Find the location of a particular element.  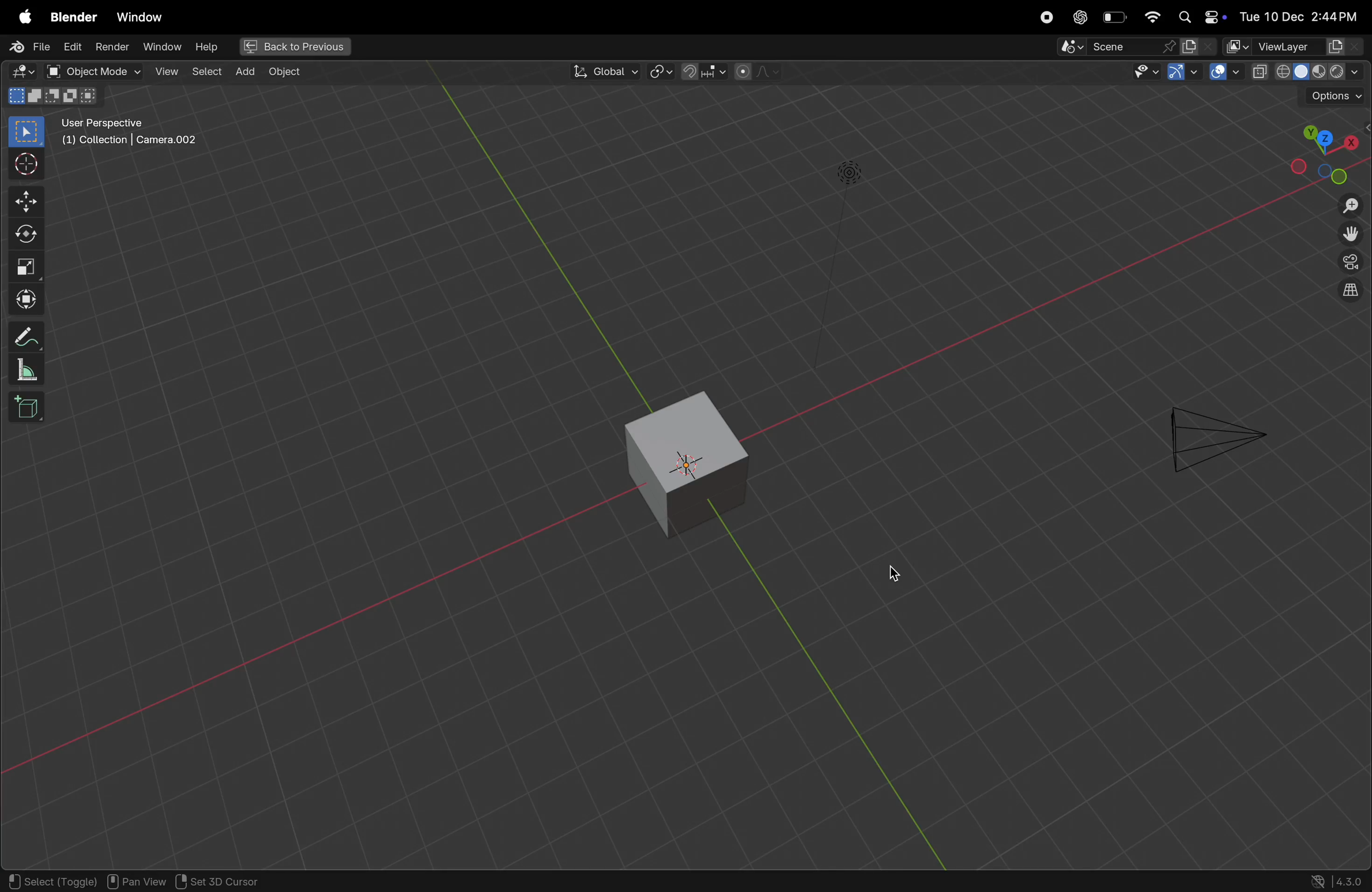

add is located at coordinates (244, 71).